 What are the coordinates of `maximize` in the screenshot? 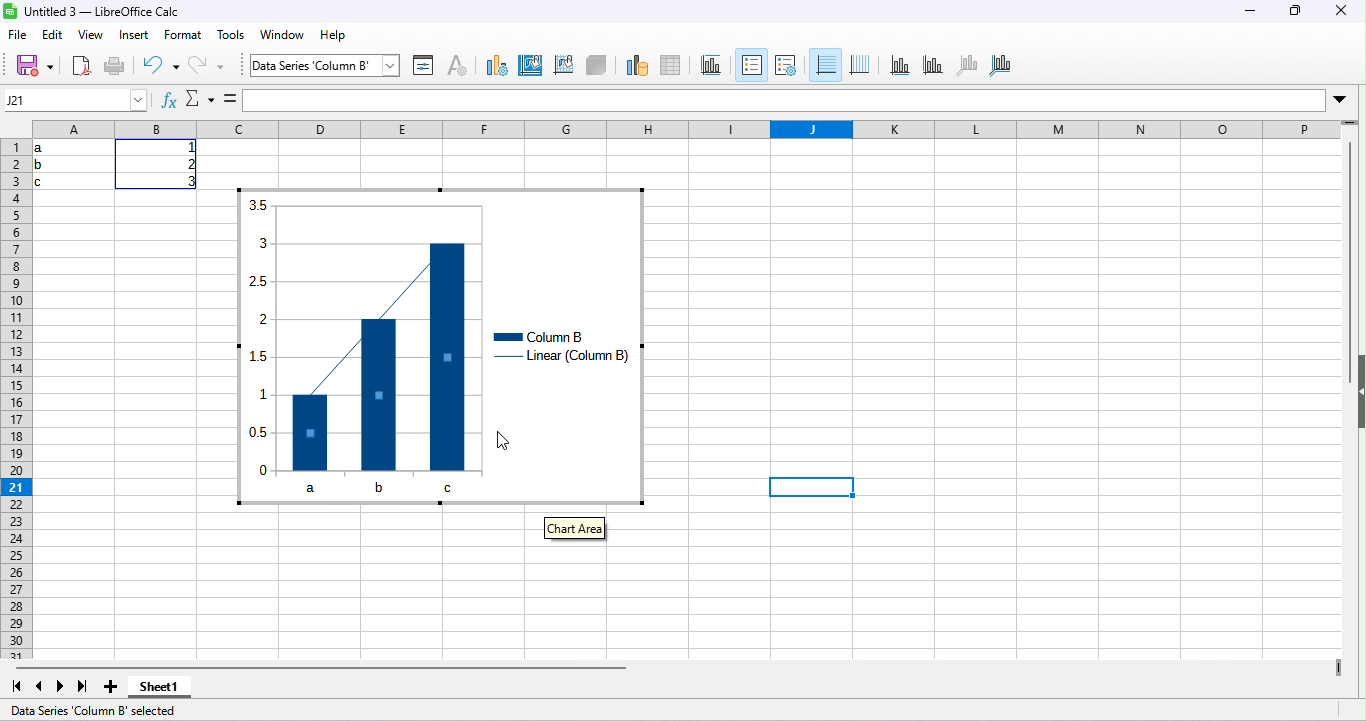 It's located at (1294, 13).